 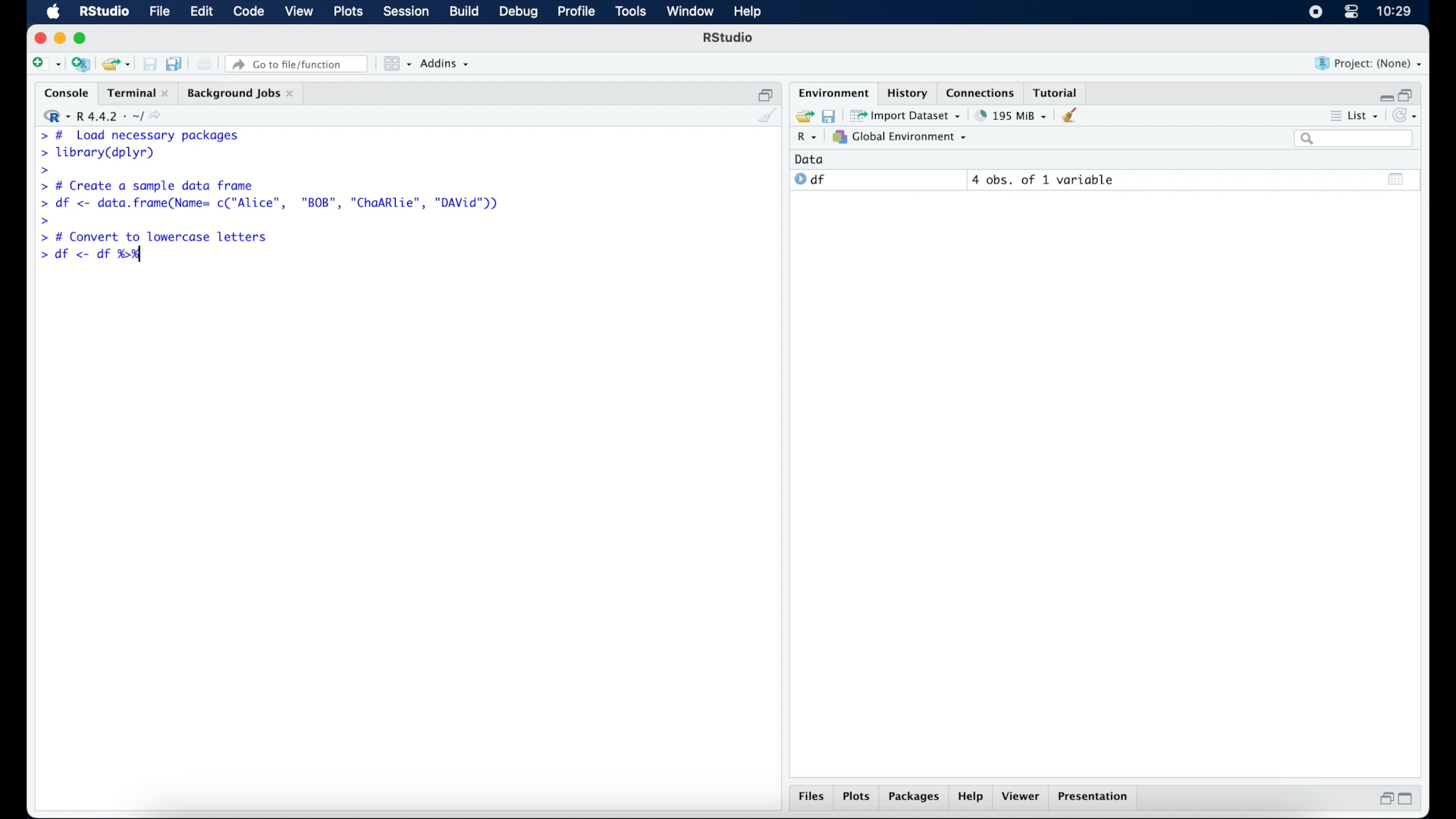 What do you see at coordinates (1384, 94) in the screenshot?
I see `minimize` at bounding box center [1384, 94].